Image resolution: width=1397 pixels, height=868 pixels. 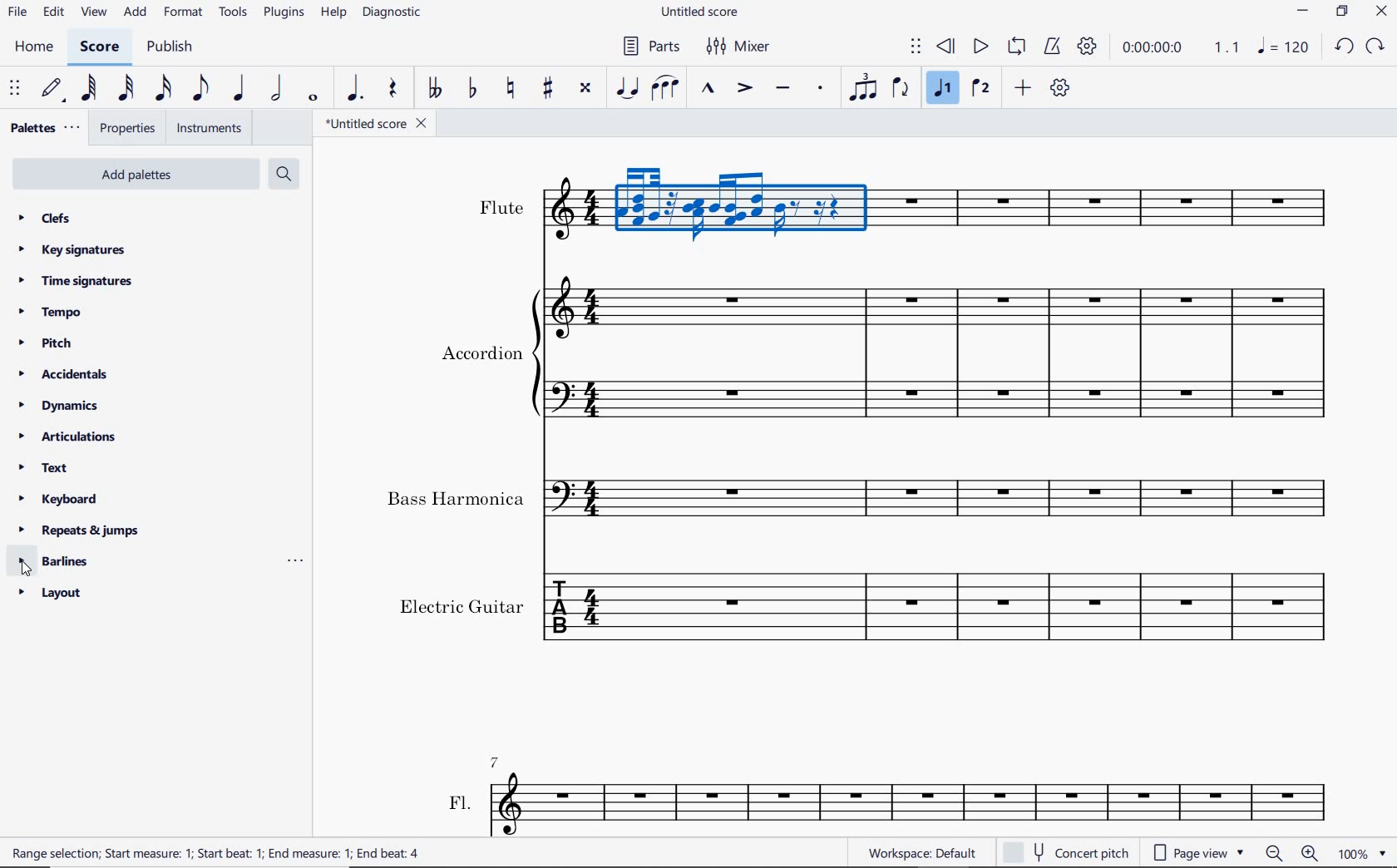 What do you see at coordinates (76, 282) in the screenshot?
I see `time signatures` at bounding box center [76, 282].